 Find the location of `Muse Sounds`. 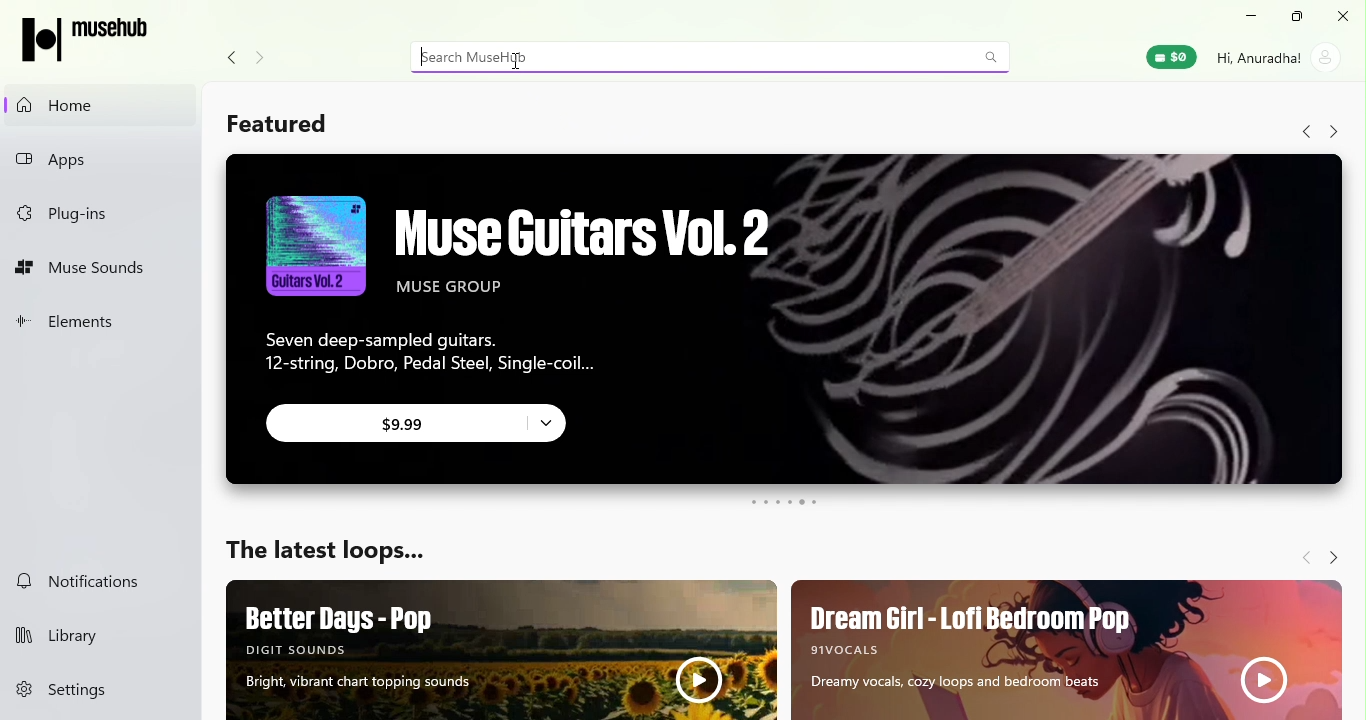

Muse Sounds is located at coordinates (94, 270).